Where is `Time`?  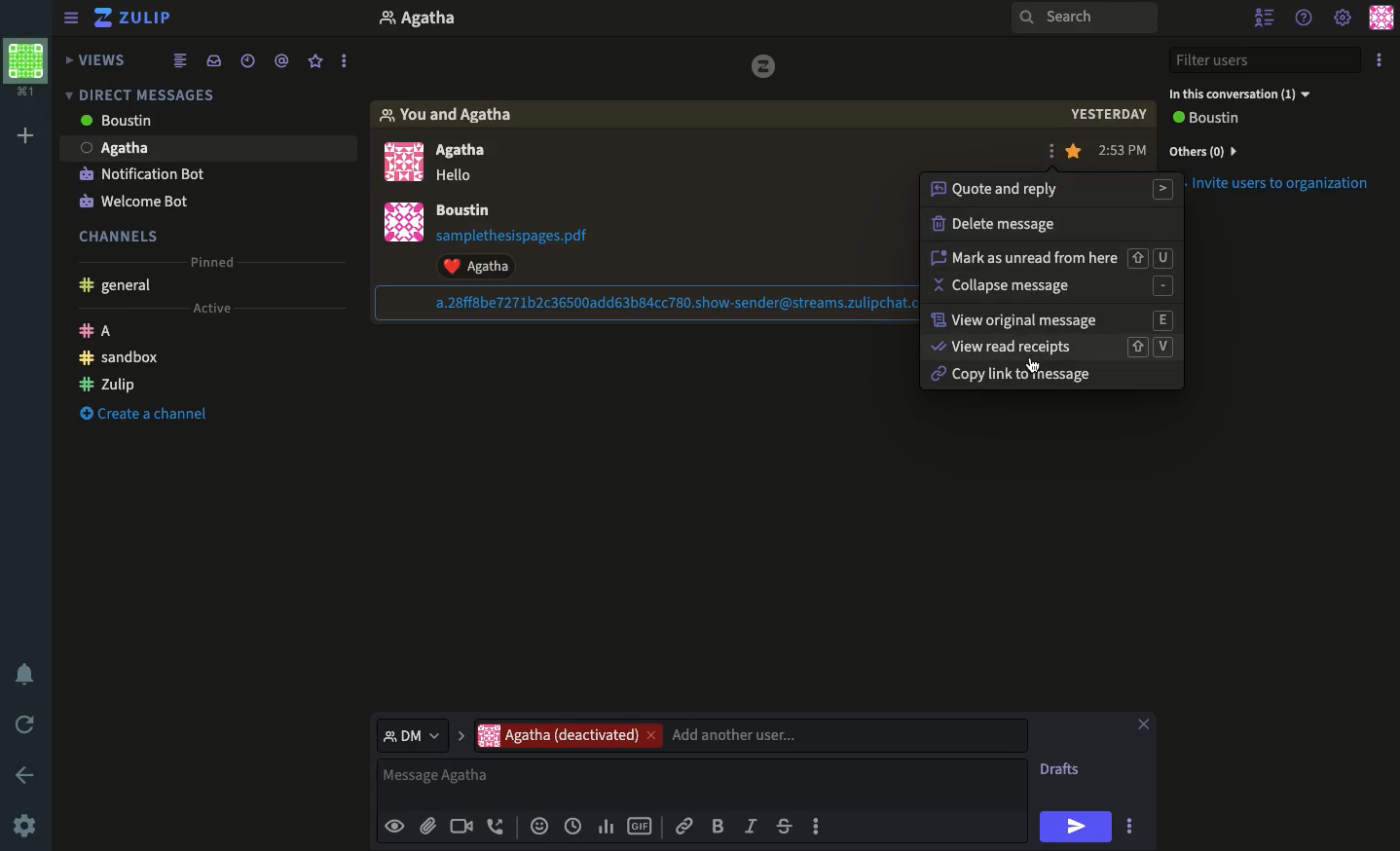
Time is located at coordinates (247, 58).